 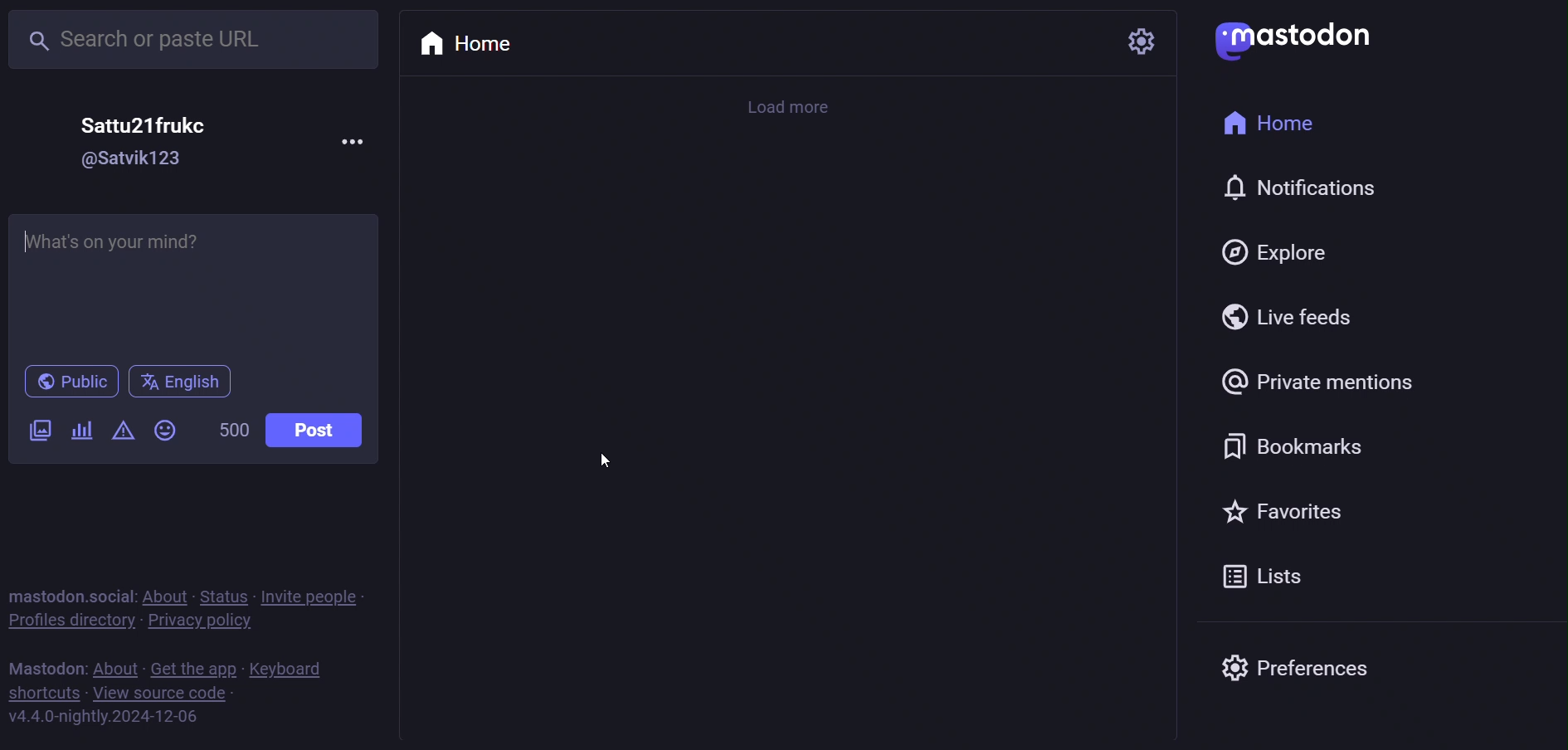 I want to click on more, so click(x=354, y=144).